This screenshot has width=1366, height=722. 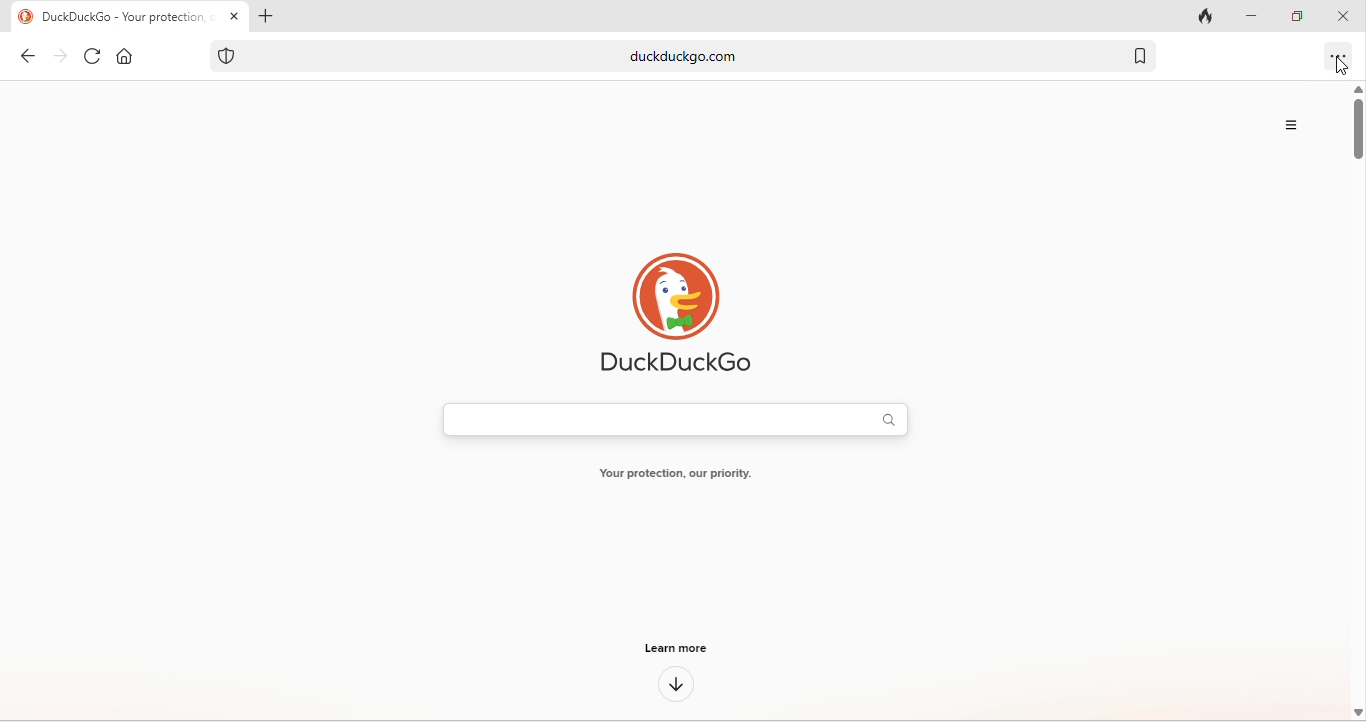 What do you see at coordinates (682, 297) in the screenshot?
I see `duck duck go logo` at bounding box center [682, 297].